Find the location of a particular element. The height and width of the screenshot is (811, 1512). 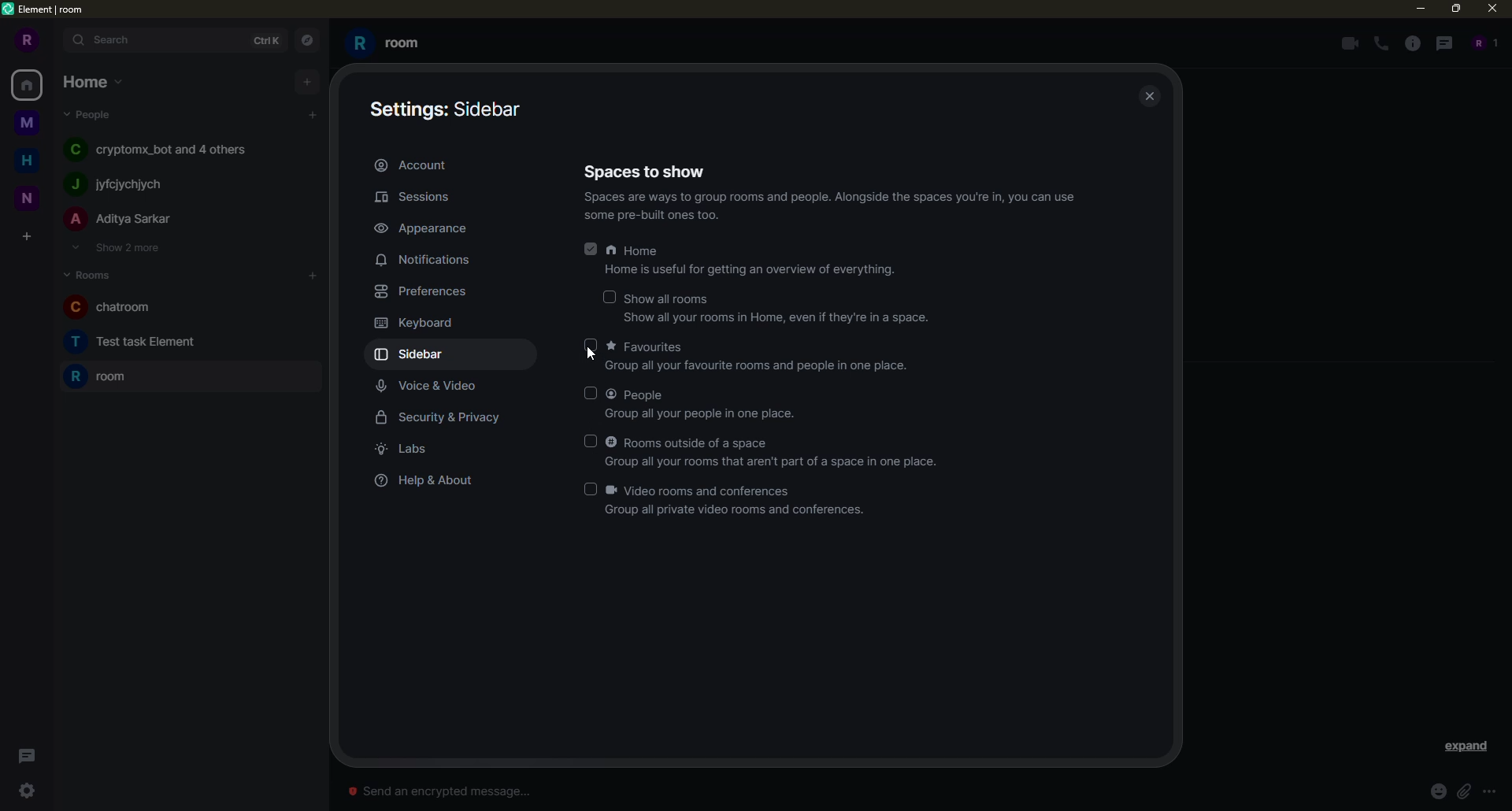

Group all private video rooms and conferences. is located at coordinates (724, 512).